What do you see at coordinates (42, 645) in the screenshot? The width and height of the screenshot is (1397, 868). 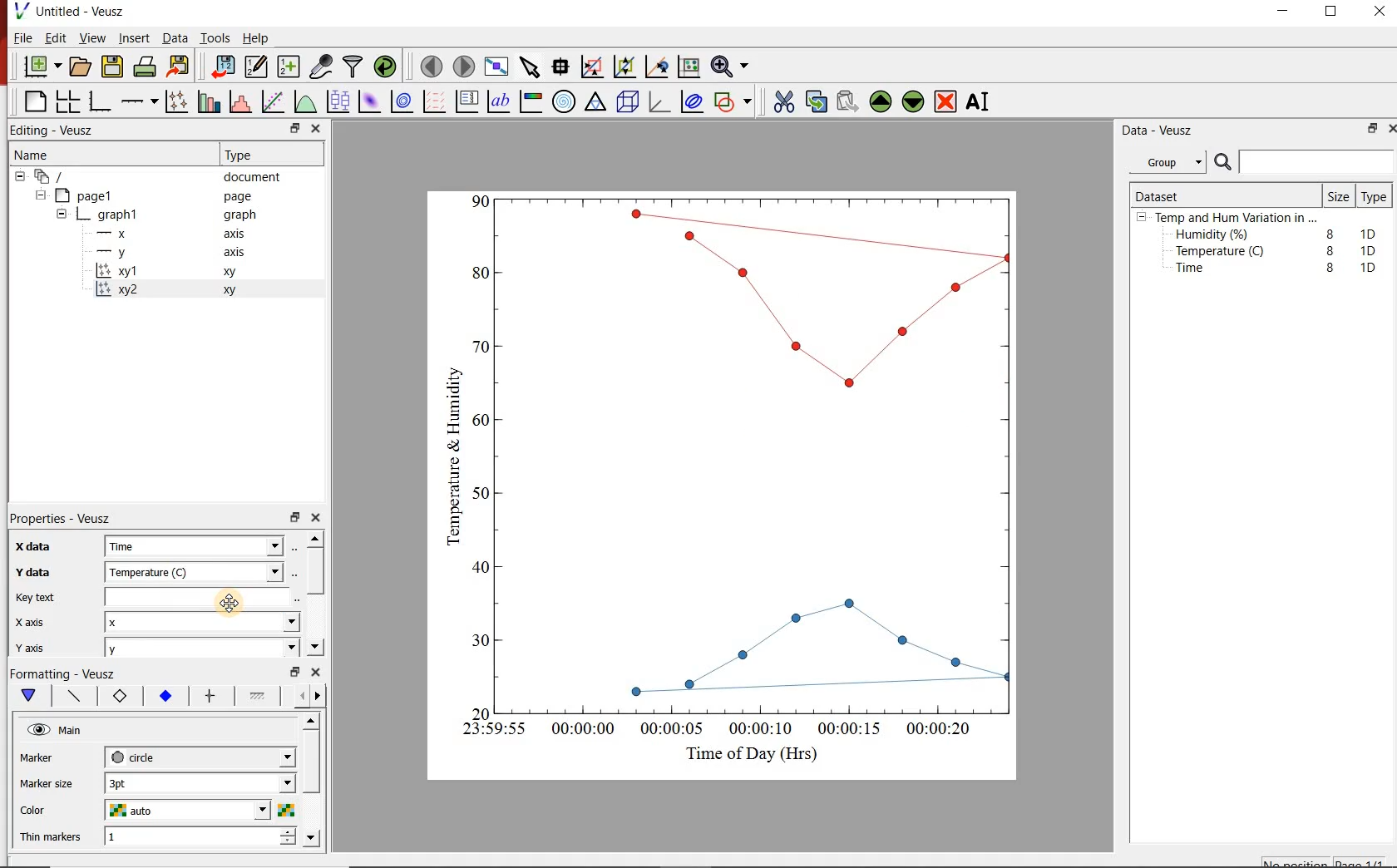 I see `y axis` at bounding box center [42, 645].